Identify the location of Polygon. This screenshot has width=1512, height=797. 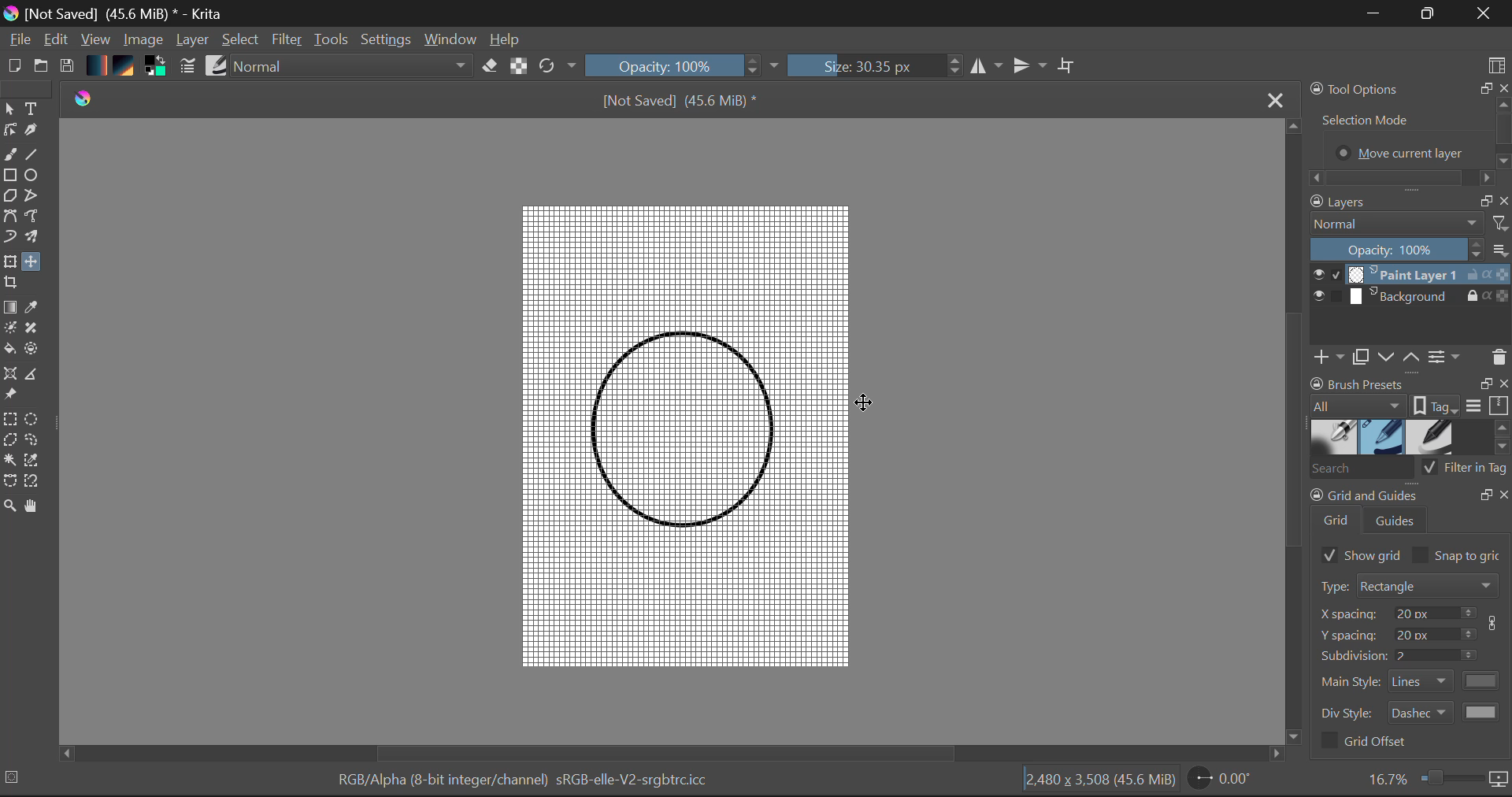
(9, 197).